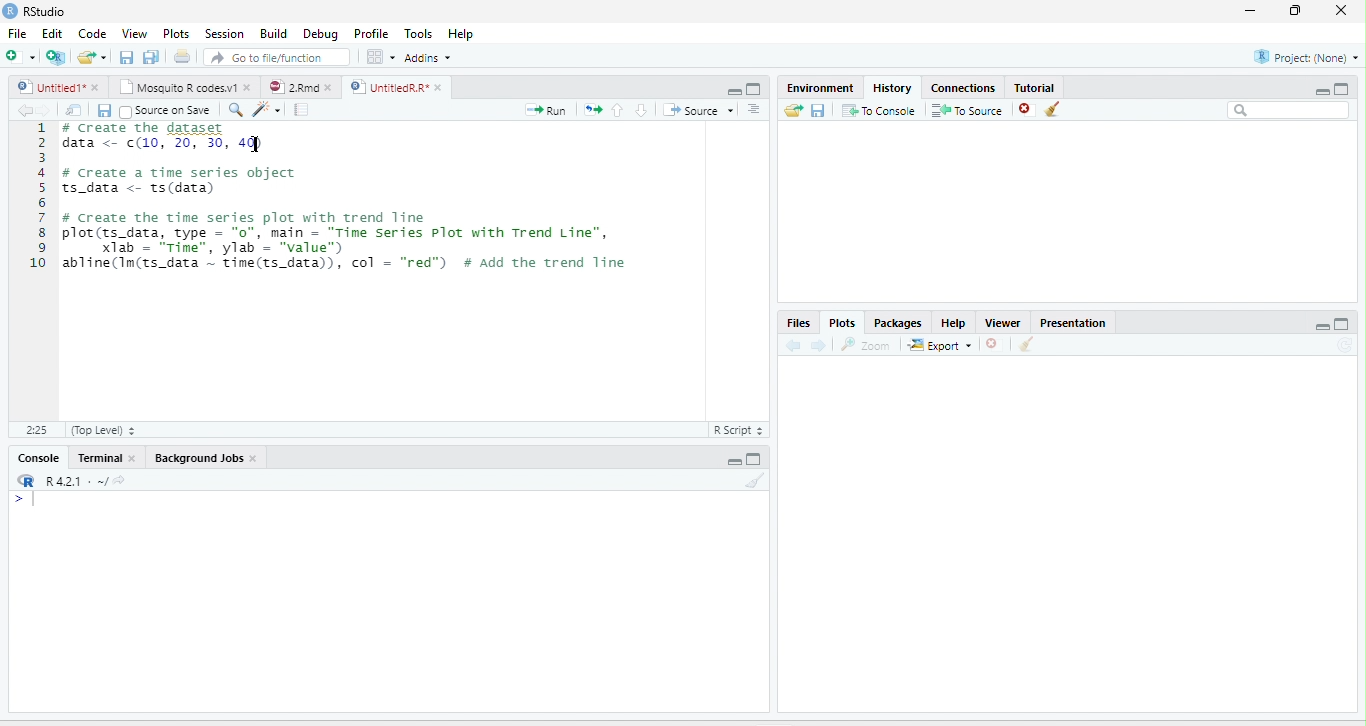  Describe the element at coordinates (176, 87) in the screenshot. I see `Mosquito R codes.v1` at that location.